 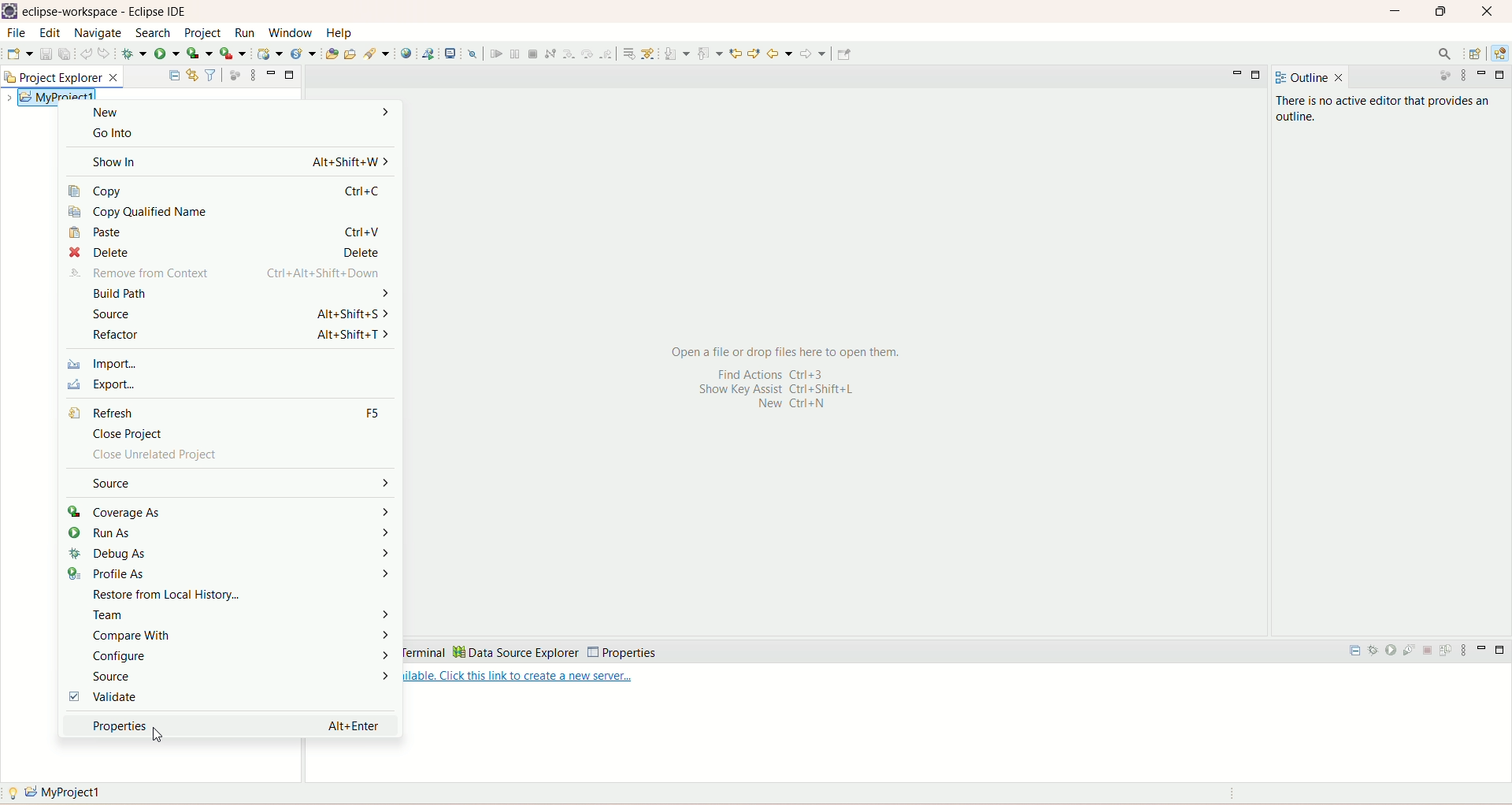 I want to click on compare with, so click(x=228, y=637).